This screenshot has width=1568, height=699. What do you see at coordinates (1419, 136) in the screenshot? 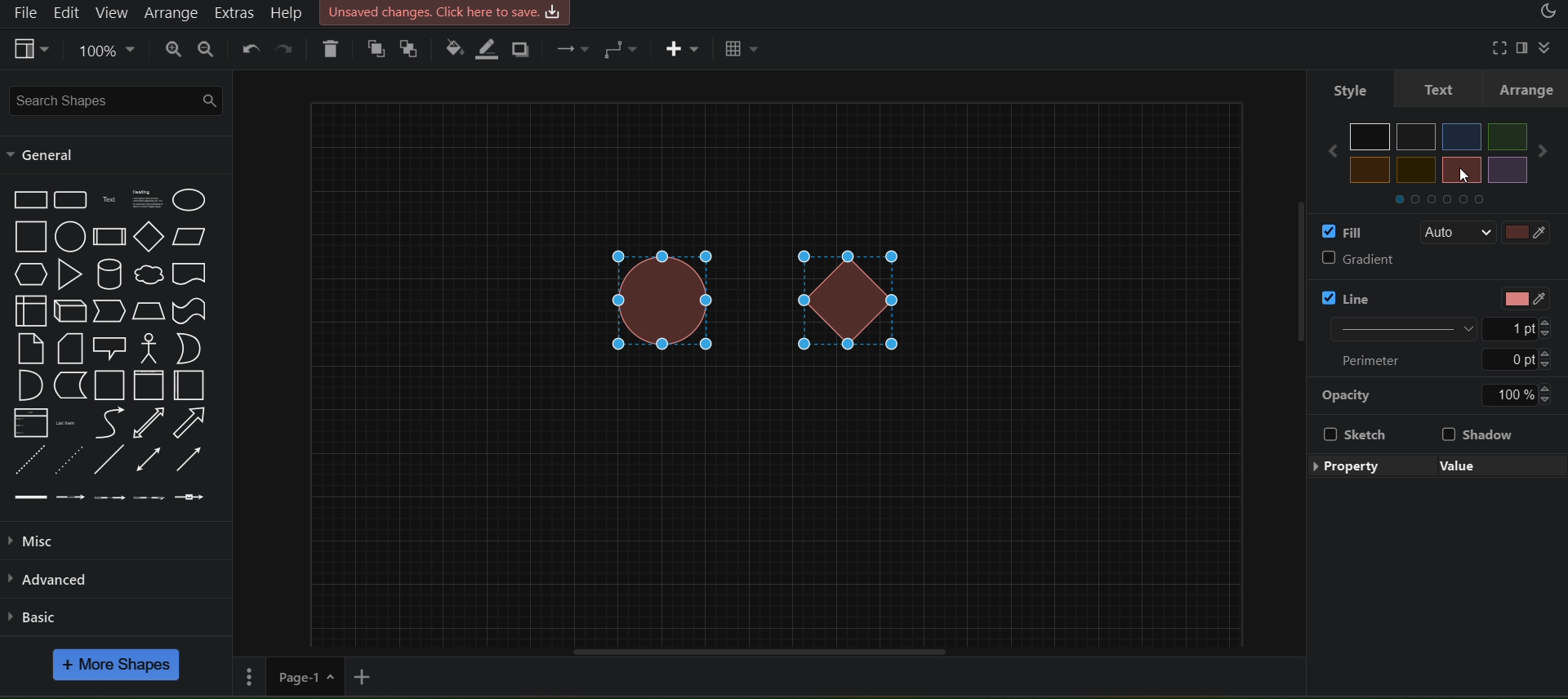
I see `` at bounding box center [1419, 136].